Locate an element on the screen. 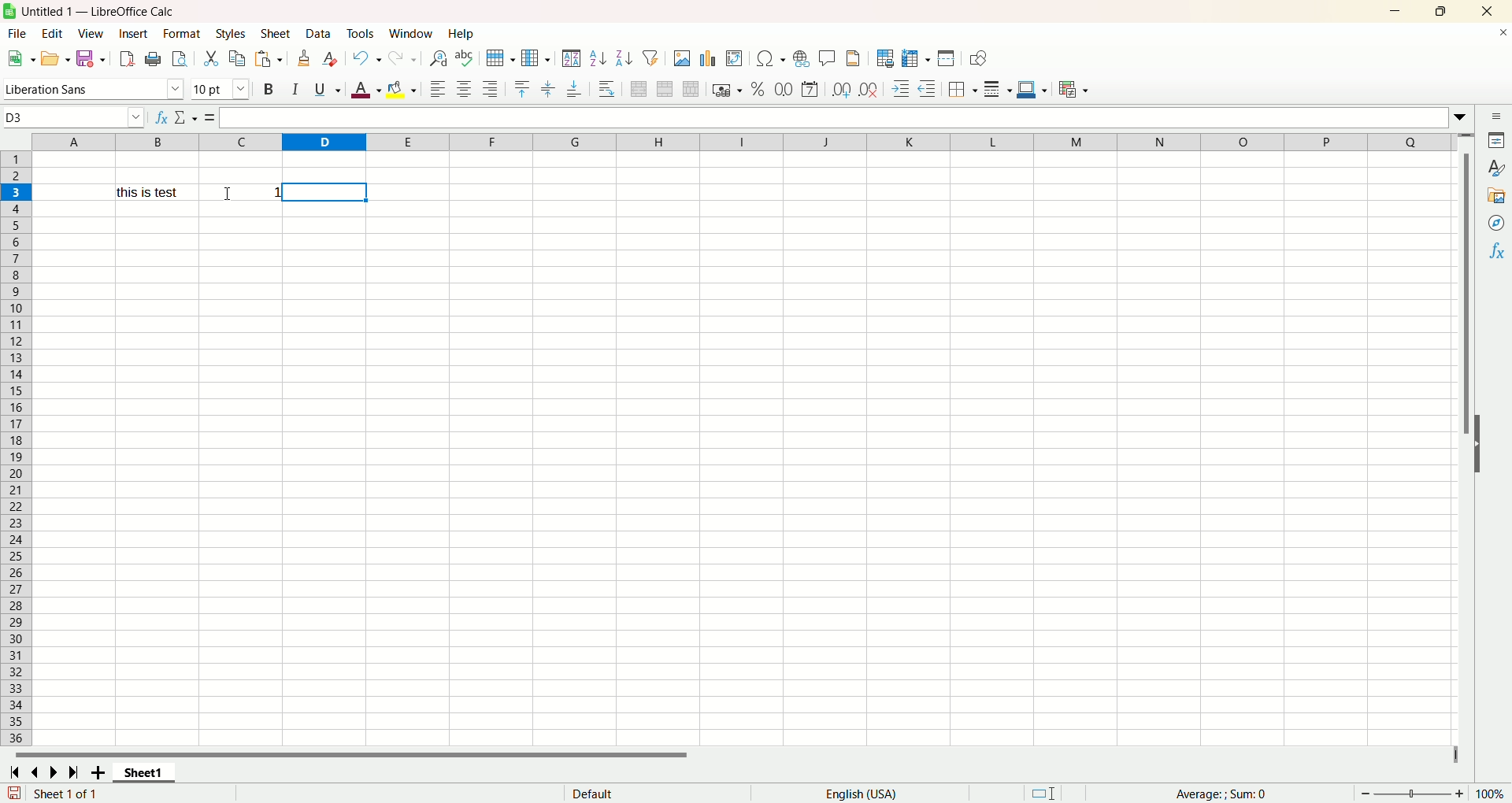 The height and width of the screenshot is (803, 1512). undo is located at coordinates (367, 57).